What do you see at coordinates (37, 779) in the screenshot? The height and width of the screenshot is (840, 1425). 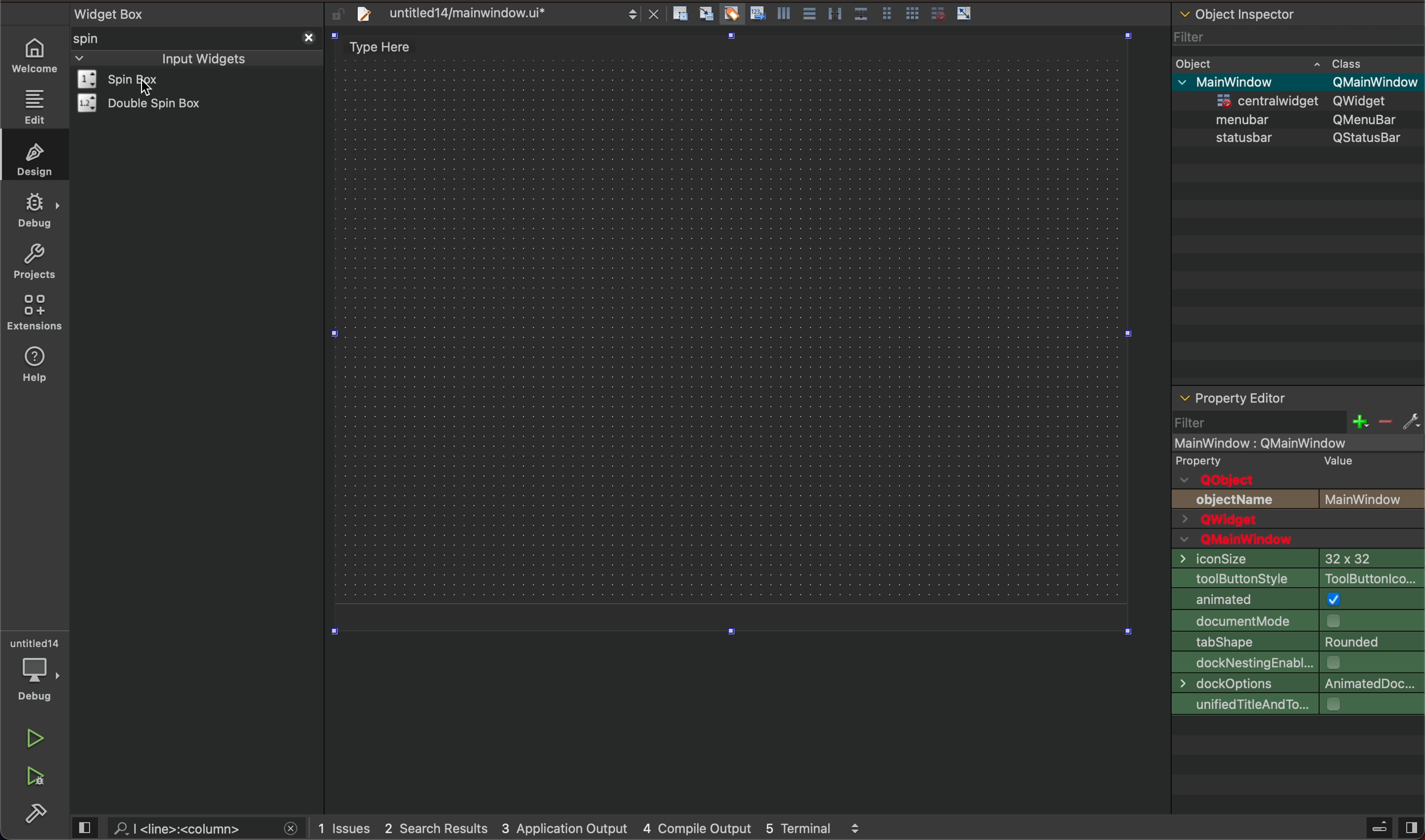 I see `run and debug` at bounding box center [37, 779].